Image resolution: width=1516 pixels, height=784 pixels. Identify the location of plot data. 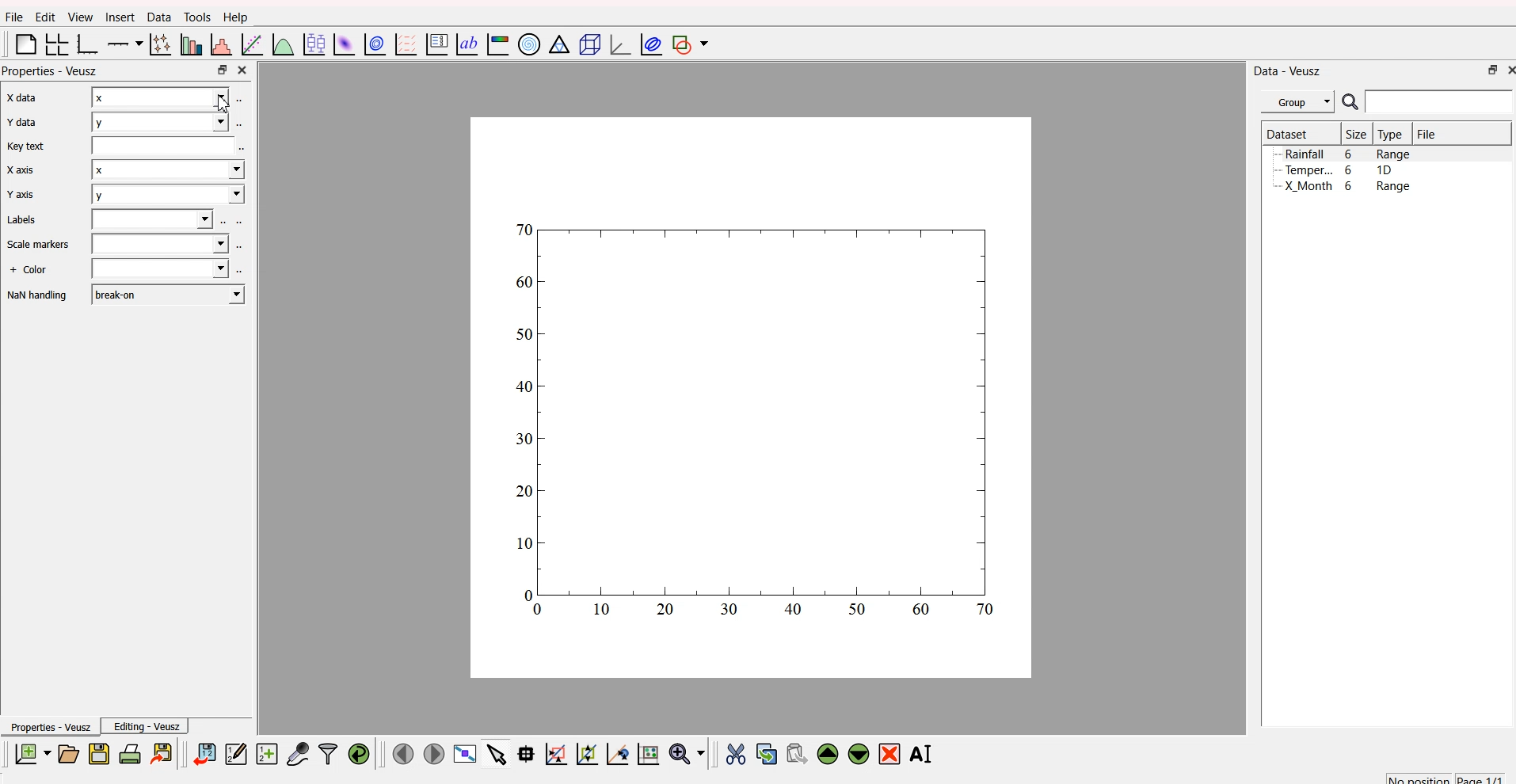
(373, 44).